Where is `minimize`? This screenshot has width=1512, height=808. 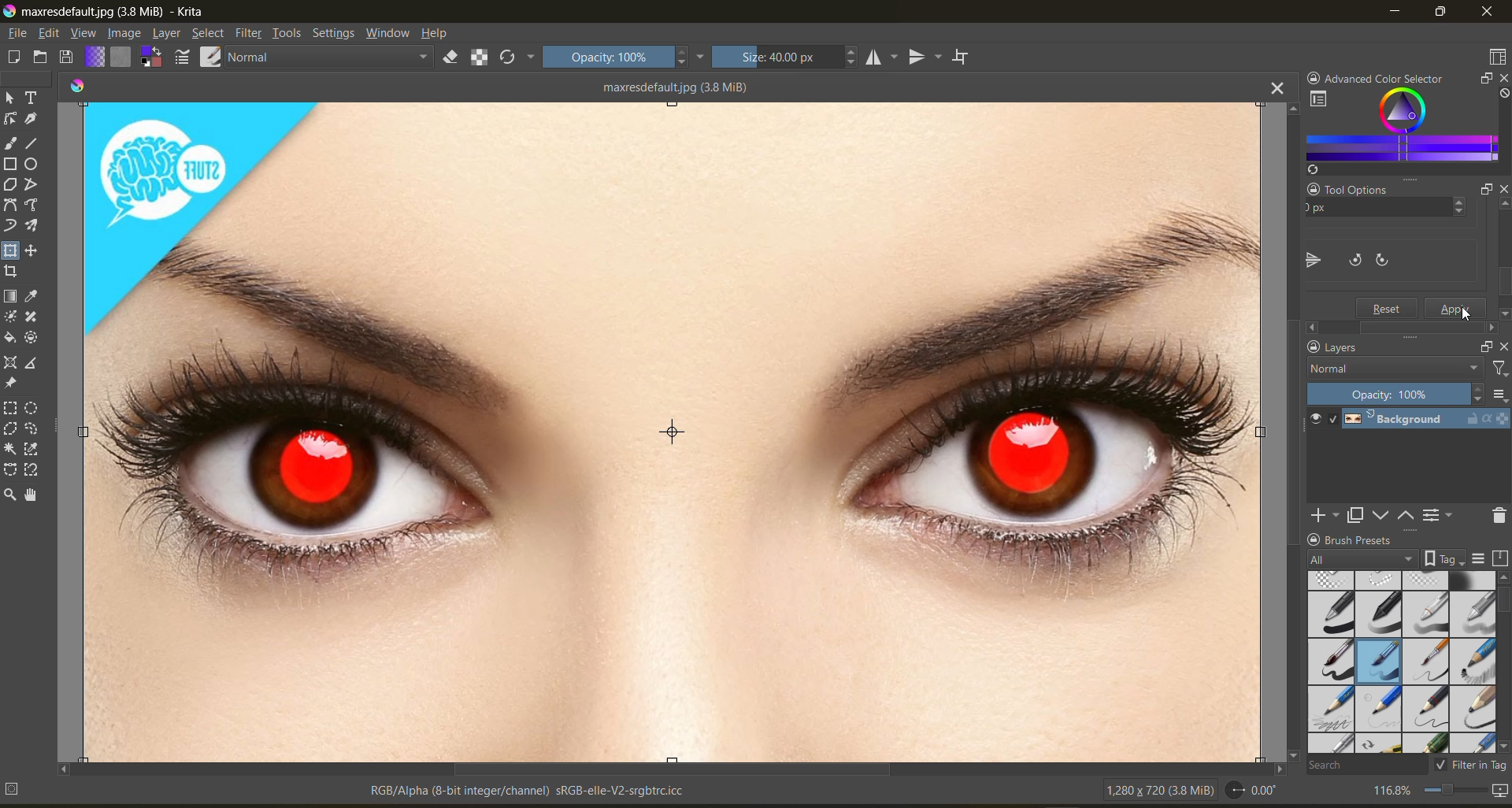
minimize is located at coordinates (1396, 14).